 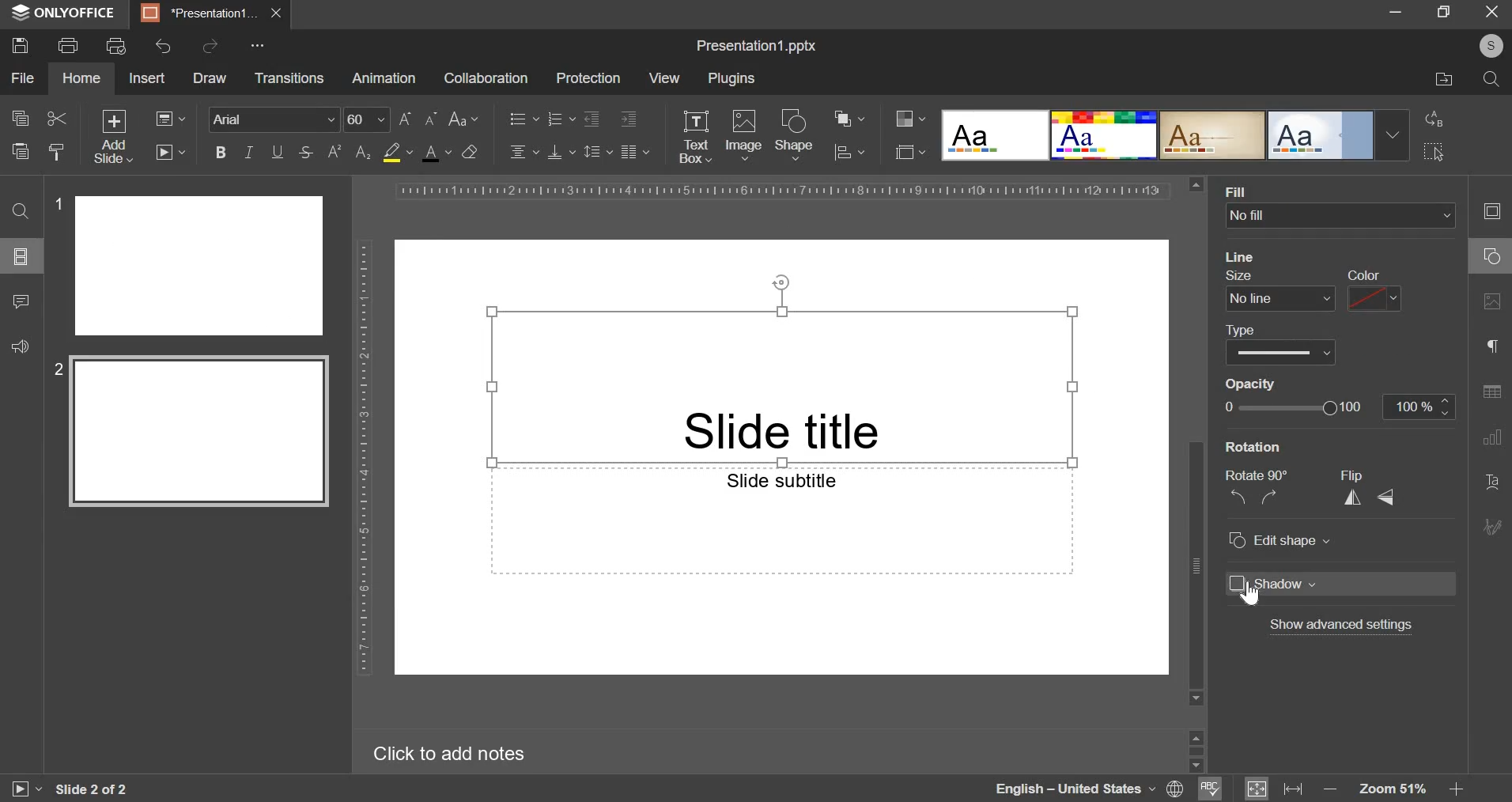 What do you see at coordinates (781, 191) in the screenshot?
I see `horizontal scale` at bounding box center [781, 191].